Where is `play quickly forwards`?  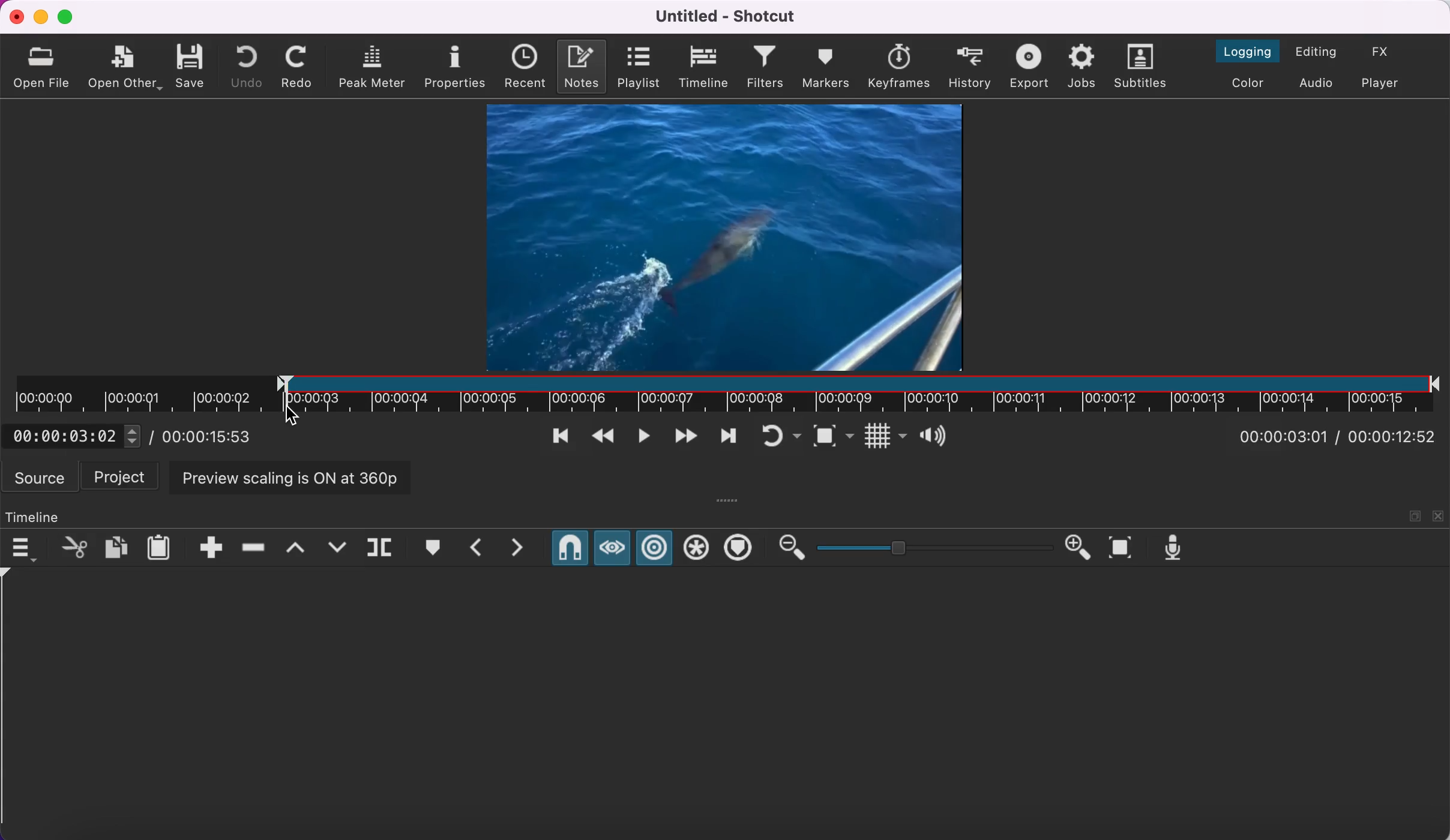 play quickly forwards is located at coordinates (682, 438).